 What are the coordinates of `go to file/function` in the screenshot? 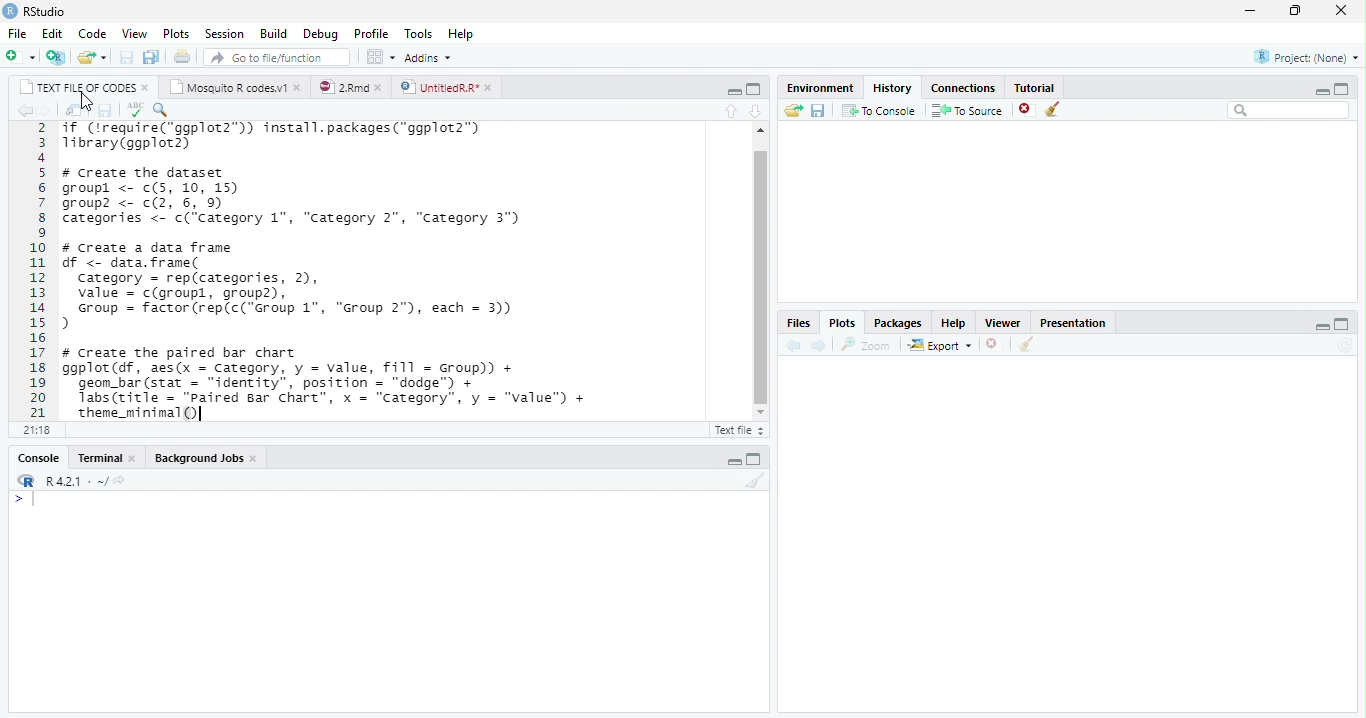 It's located at (277, 58).